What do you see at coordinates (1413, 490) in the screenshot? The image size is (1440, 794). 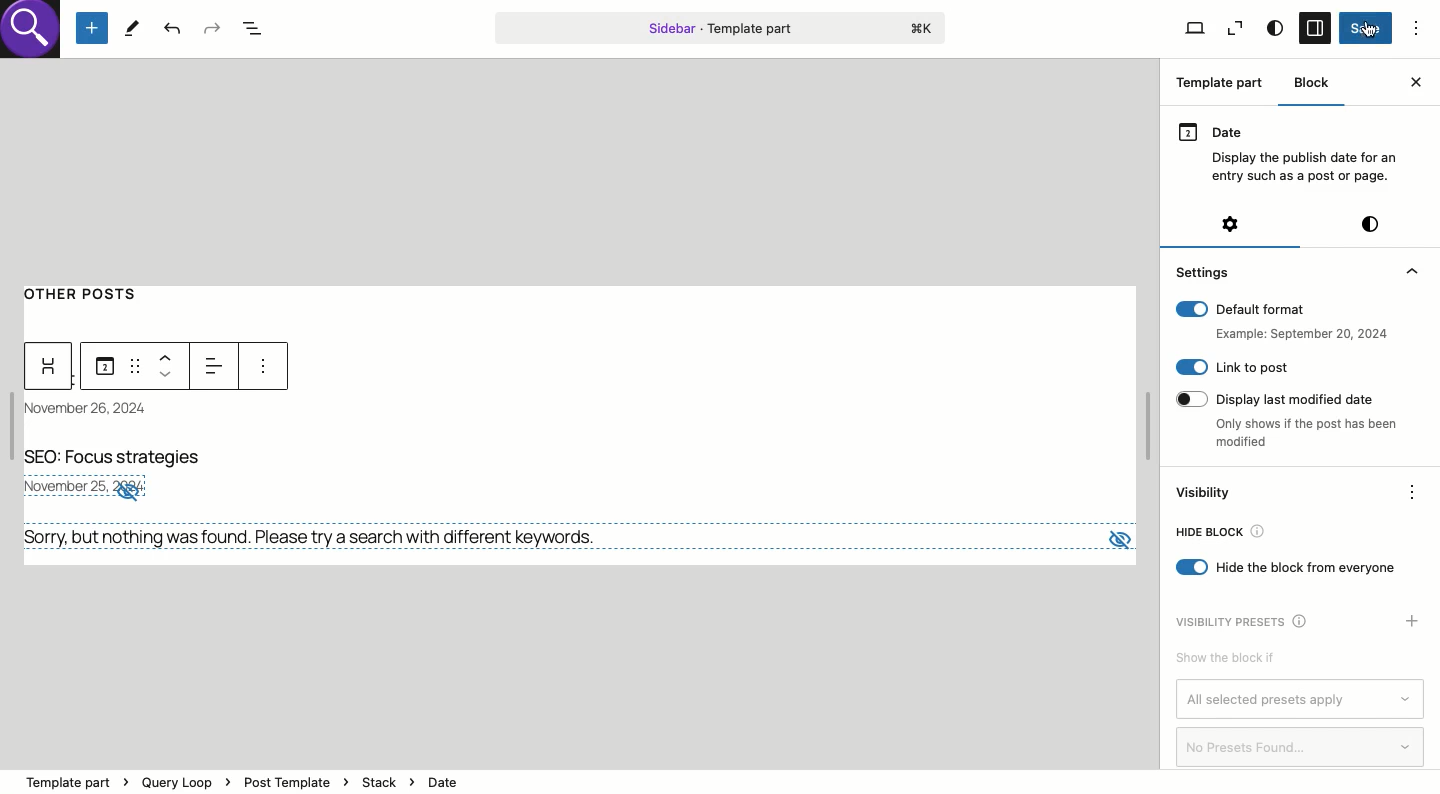 I see `Options` at bounding box center [1413, 490].